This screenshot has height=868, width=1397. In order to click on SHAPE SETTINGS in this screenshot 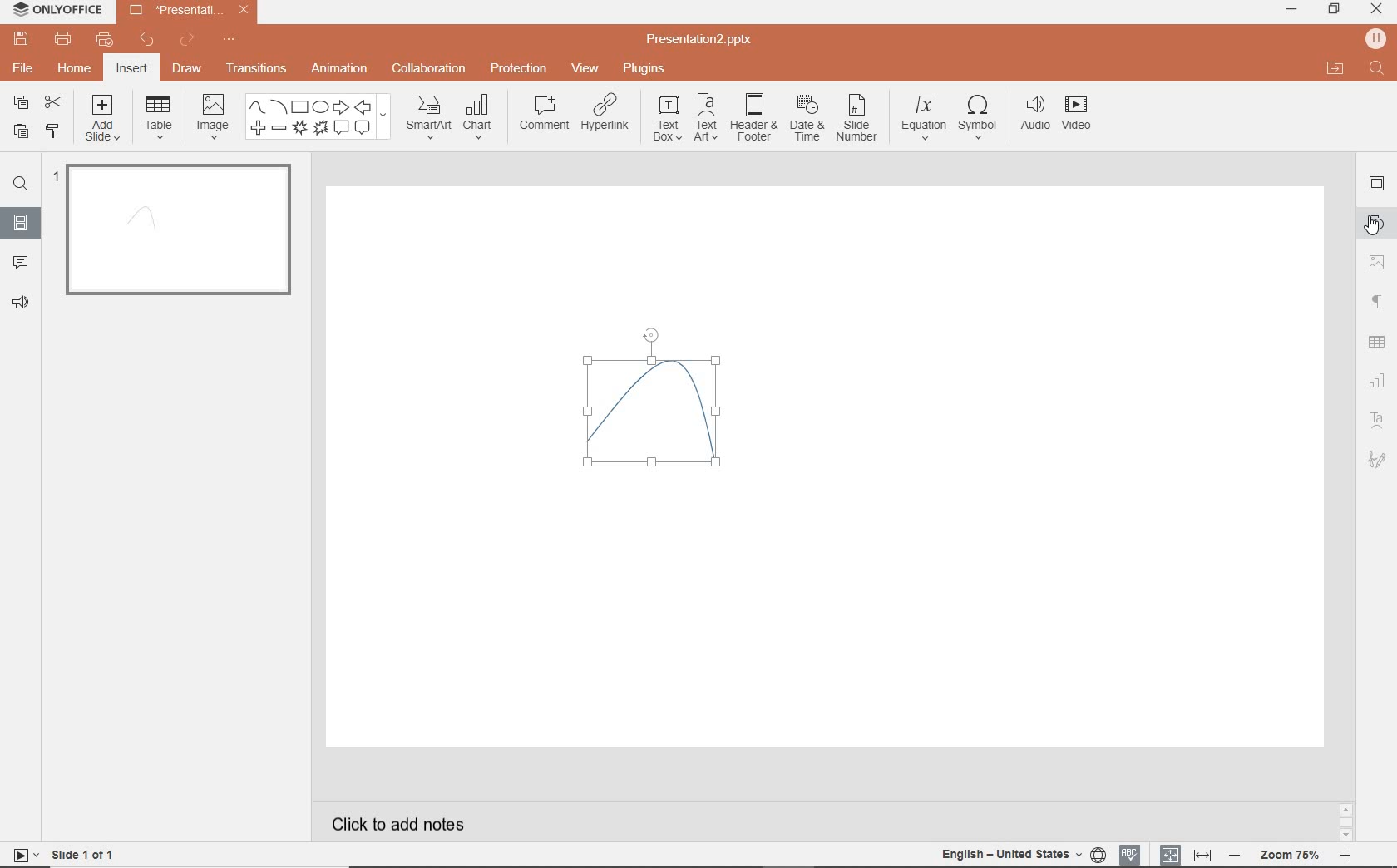, I will do `click(1378, 223)`.